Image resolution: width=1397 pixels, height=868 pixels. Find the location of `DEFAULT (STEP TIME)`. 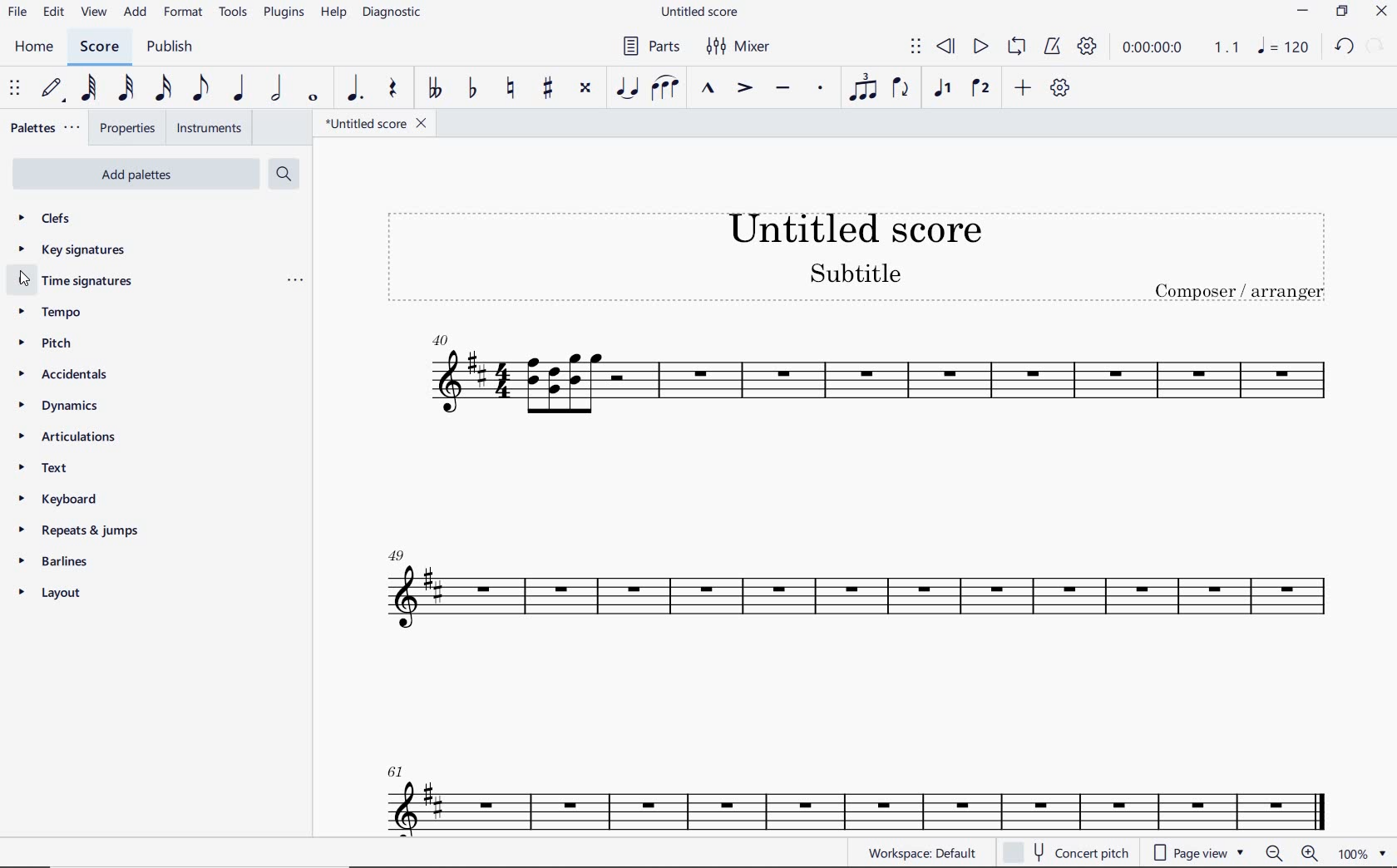

DEFAULT (STEP TIME) is located at coordinates (52, 89).